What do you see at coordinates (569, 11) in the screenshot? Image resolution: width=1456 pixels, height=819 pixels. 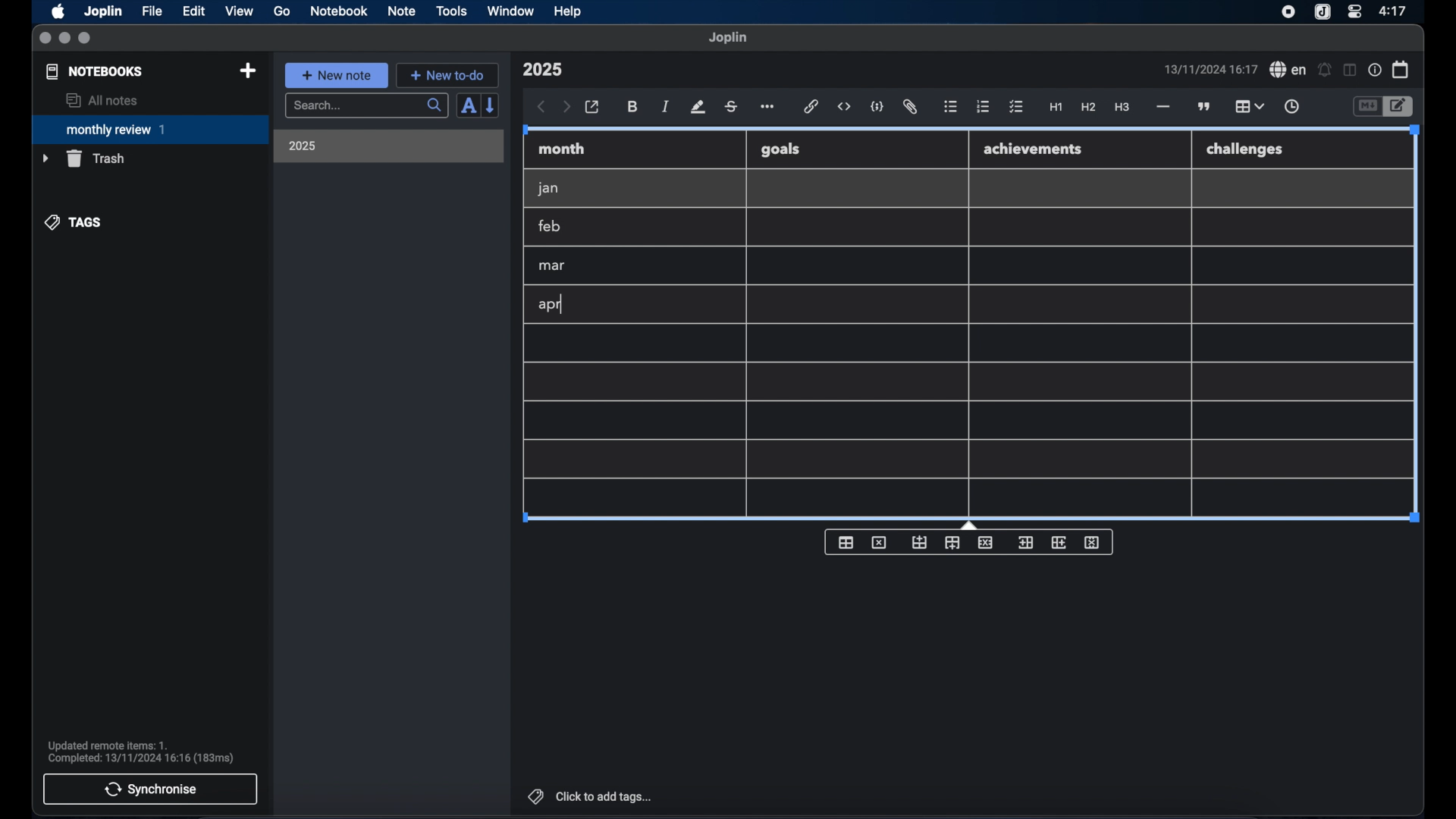 I see `help` at bounding box center [569, 11].